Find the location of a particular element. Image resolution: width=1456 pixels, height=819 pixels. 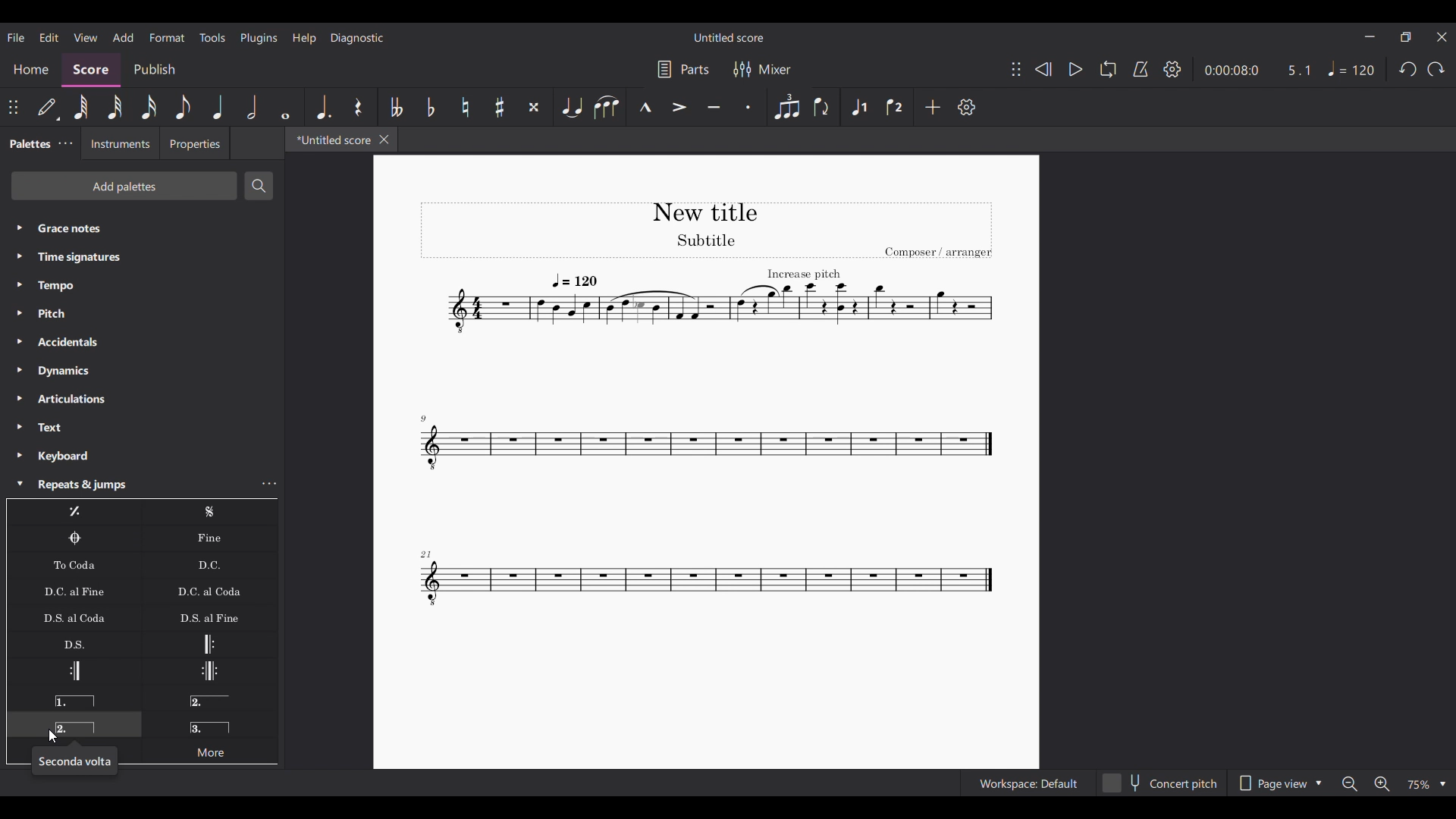

Parts settings is located at coordinates (684, 69).